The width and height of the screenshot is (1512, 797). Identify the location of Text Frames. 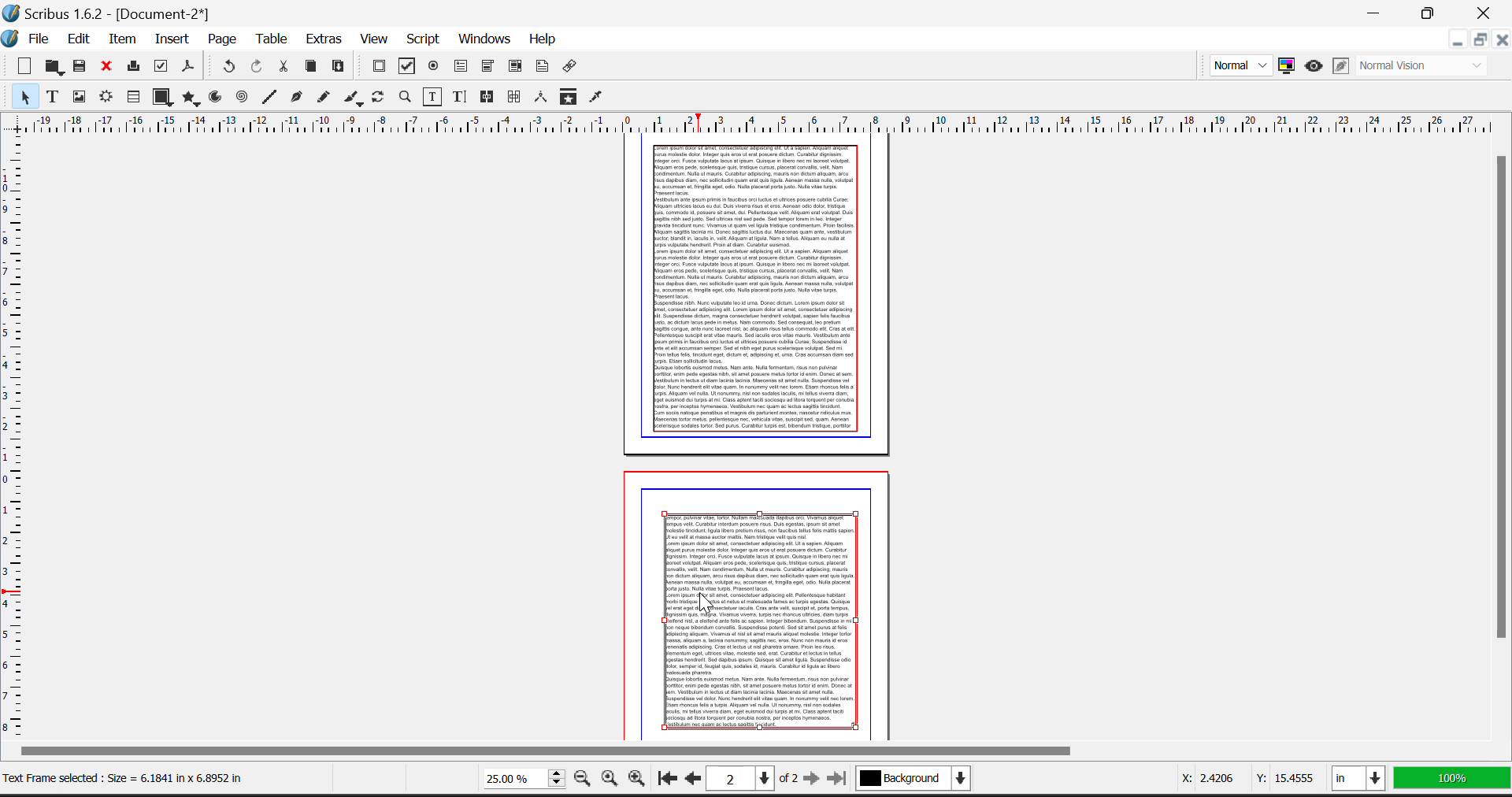
(53, 98).